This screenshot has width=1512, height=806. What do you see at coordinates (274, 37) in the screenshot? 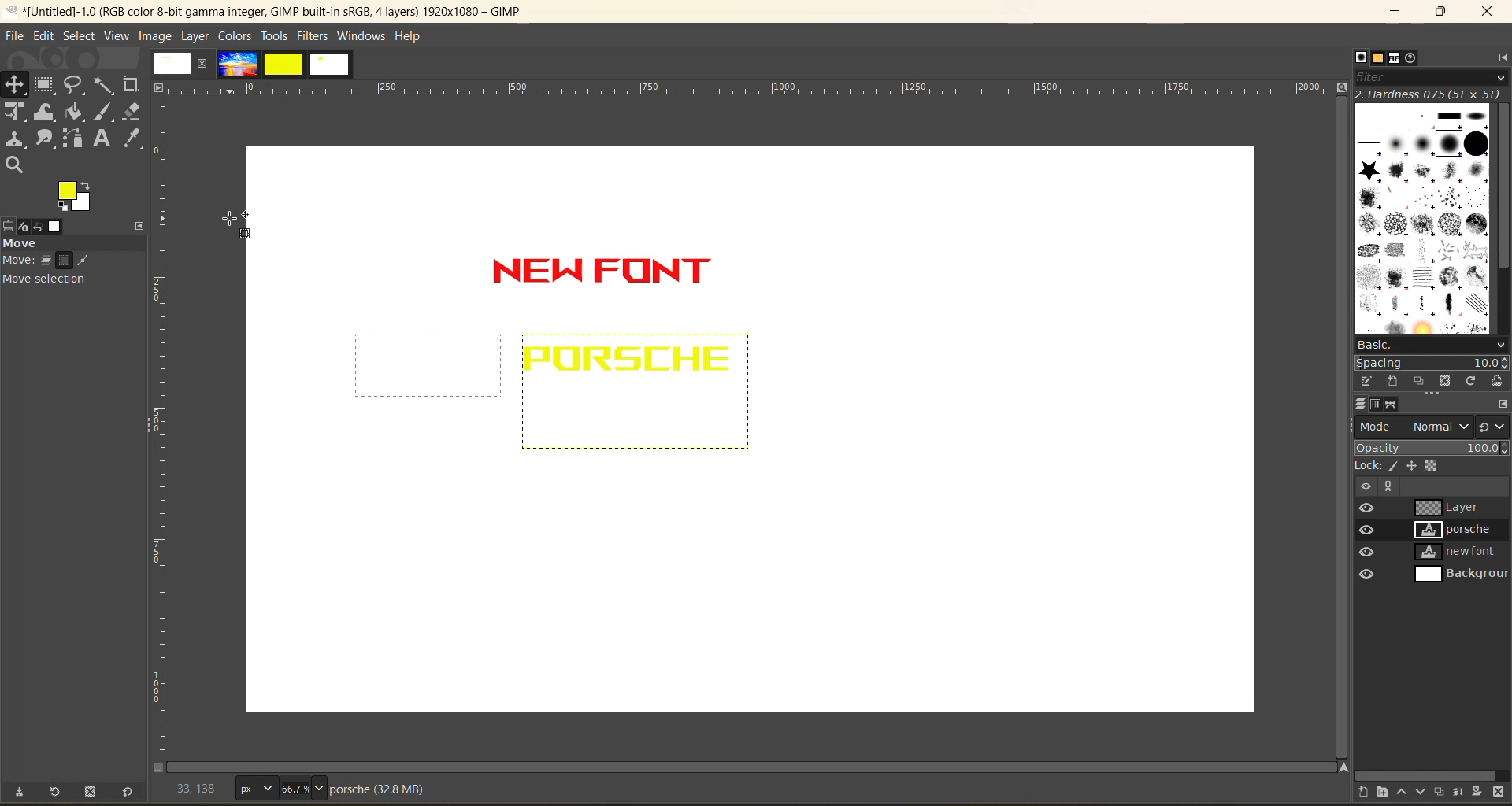
I see `tools` at bounding box center [274, 37].